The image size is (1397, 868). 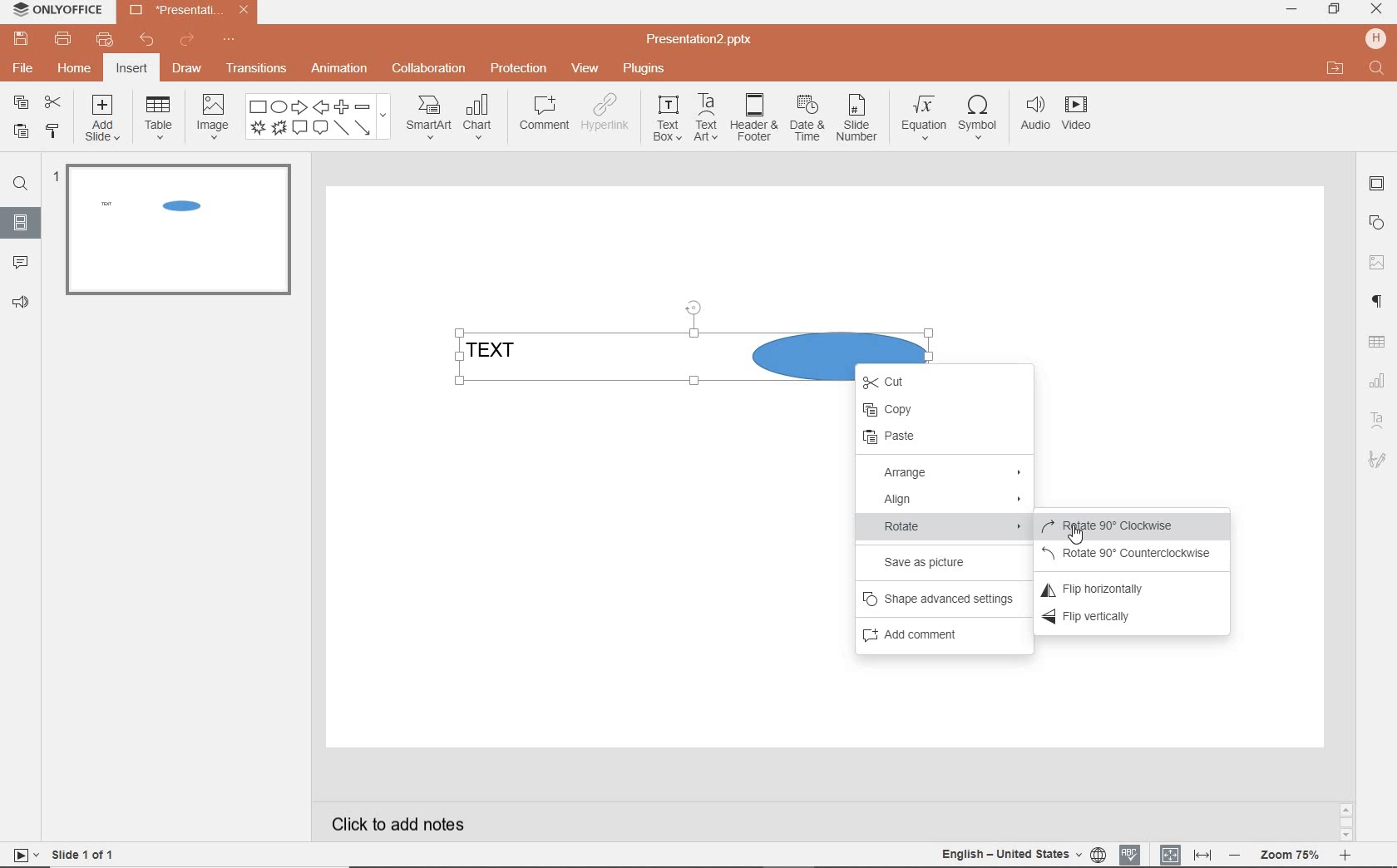 What do you see at coordinates (1377, 343) in the screenshot?
I see `TABLE SETTINGS` at bounding box center [1377, 343].